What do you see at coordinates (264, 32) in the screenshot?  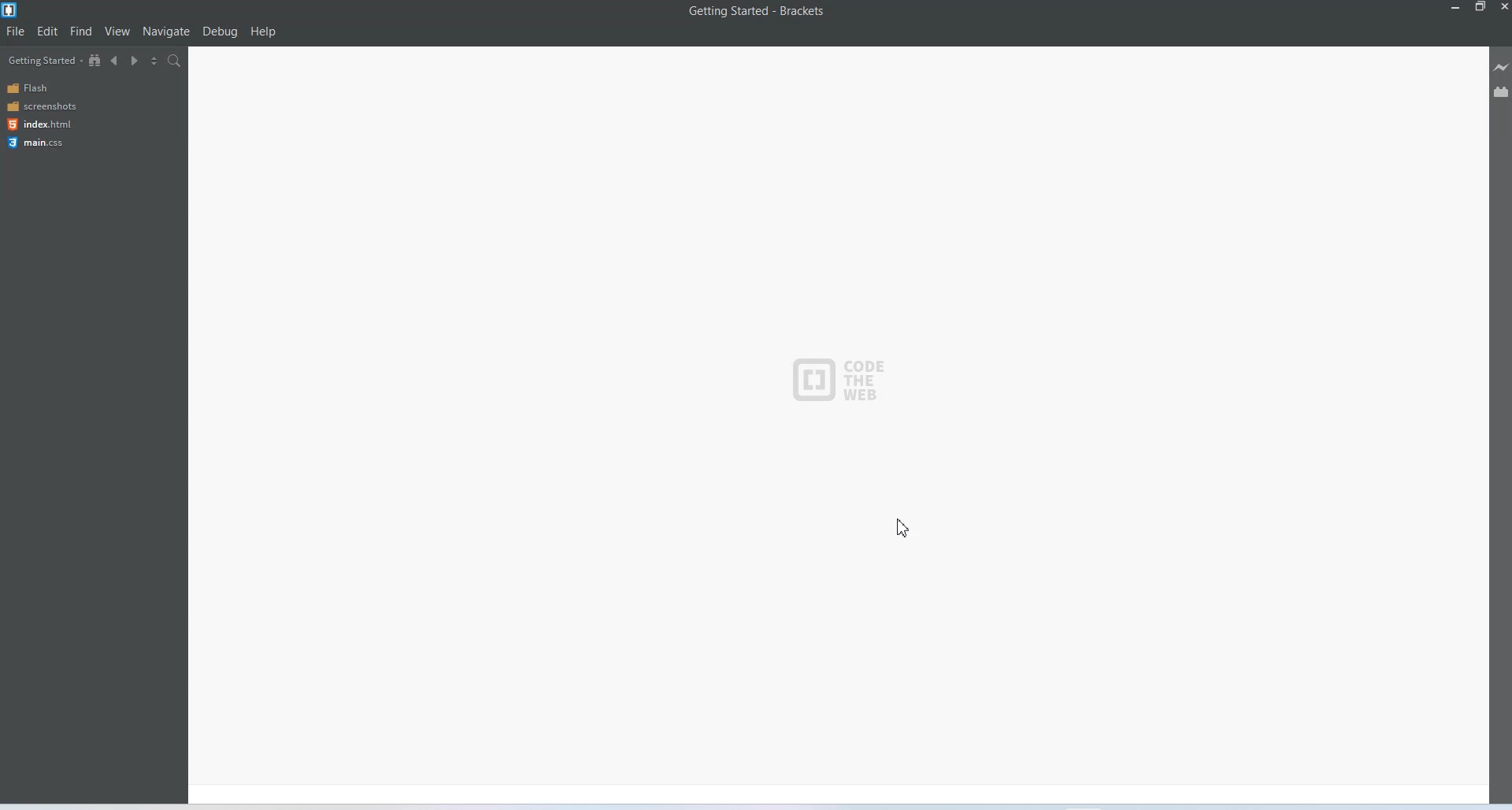 I see `help` at bounding box center [264, 32].